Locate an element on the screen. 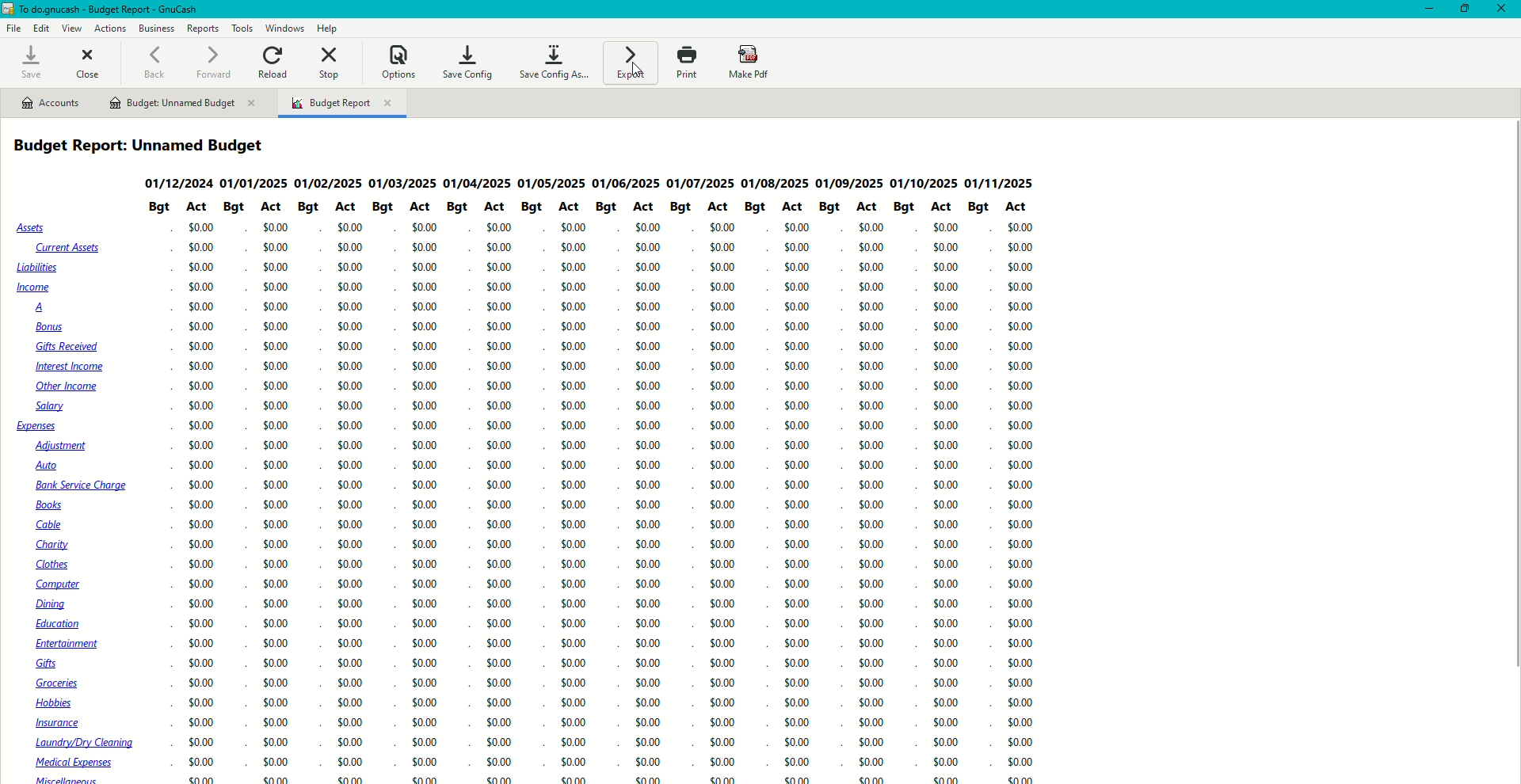  $0.00 is located at coordinates (496, 665).